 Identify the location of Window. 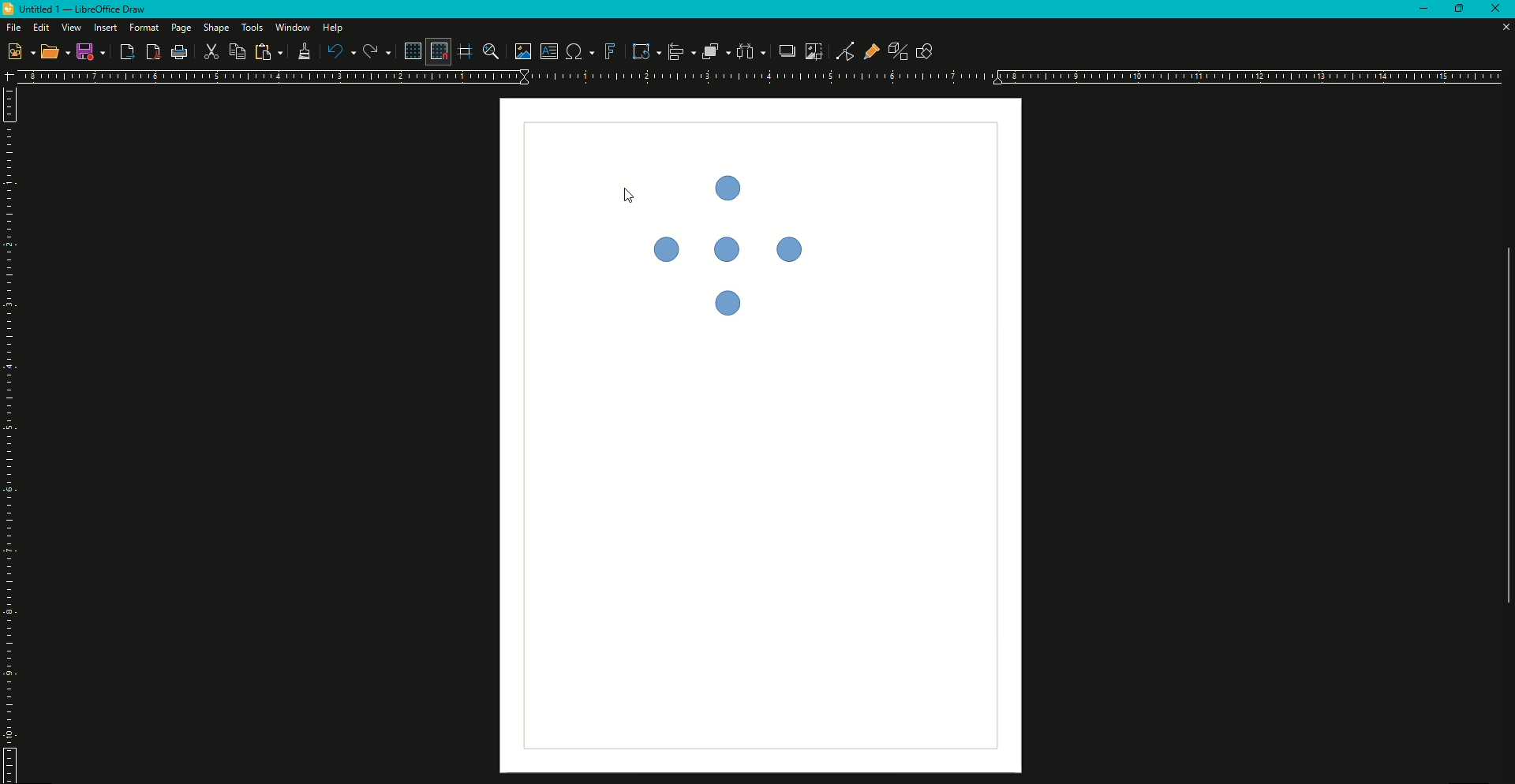
(294, 27).